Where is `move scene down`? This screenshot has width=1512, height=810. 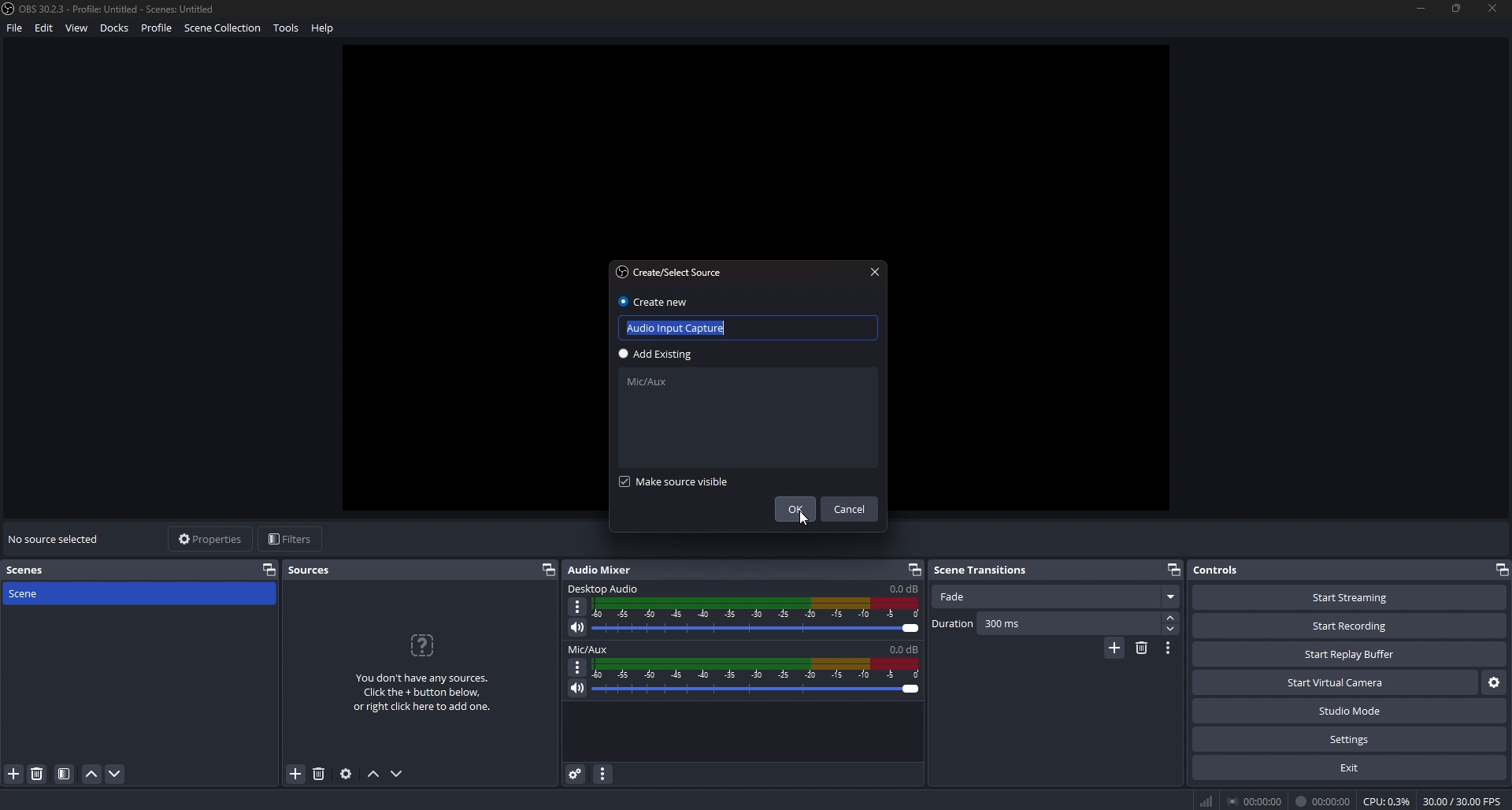
move scene down is located at coordinates (117, 774).